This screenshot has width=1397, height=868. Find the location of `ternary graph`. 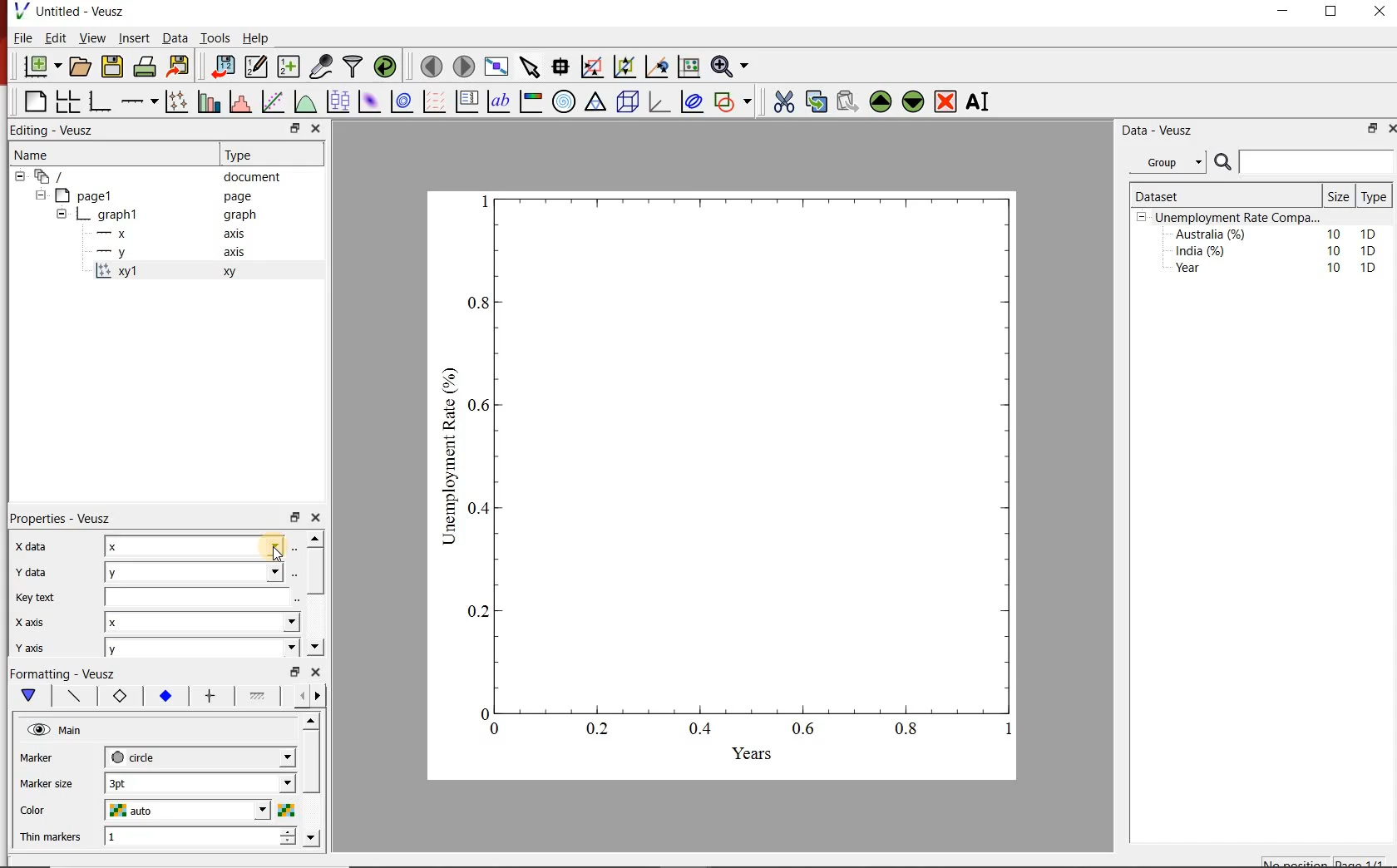

ternary graph is located at coordinates (595, 101).